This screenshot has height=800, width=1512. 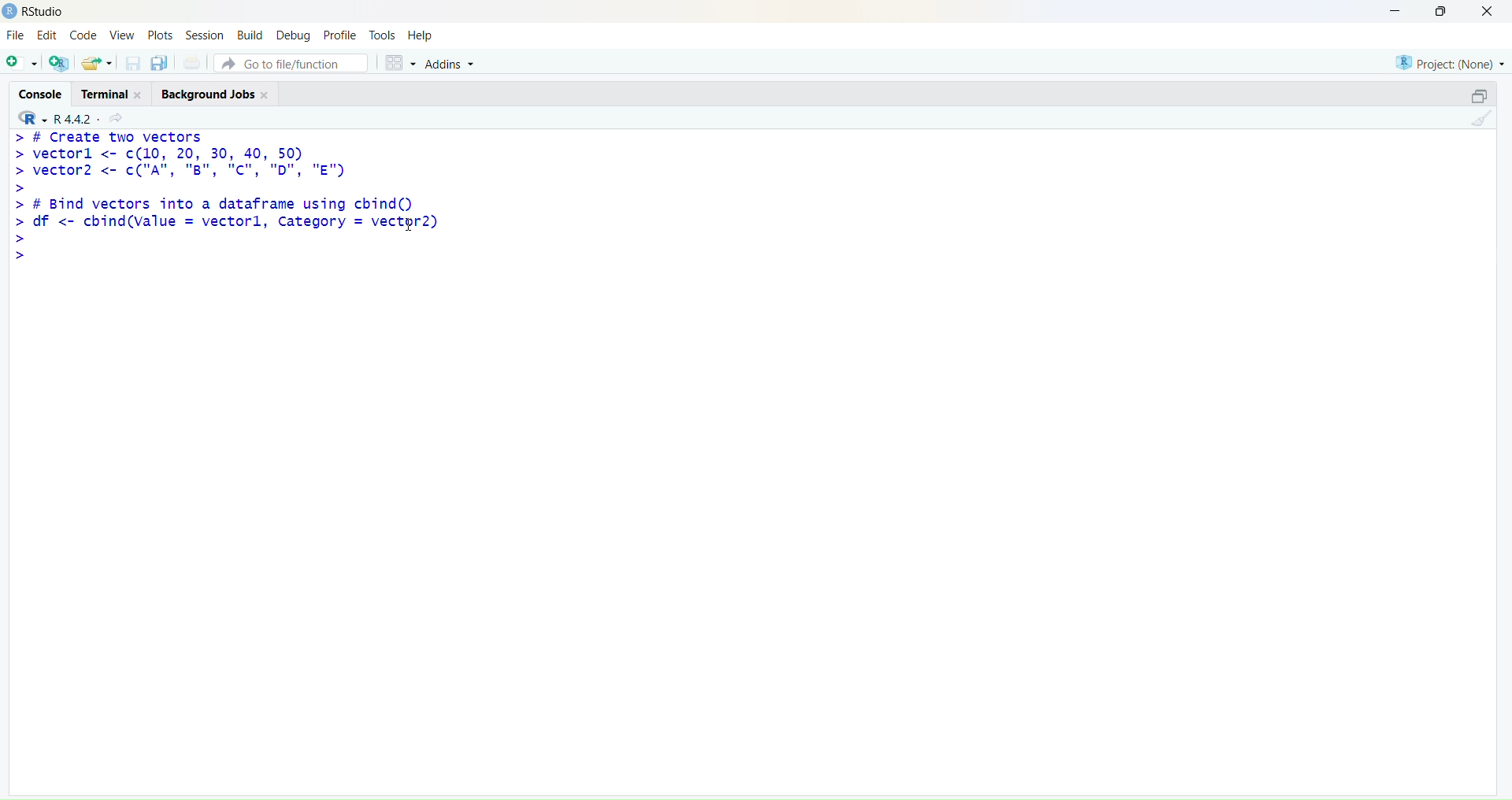 I want to click on Build, so click(x=250, y=34).